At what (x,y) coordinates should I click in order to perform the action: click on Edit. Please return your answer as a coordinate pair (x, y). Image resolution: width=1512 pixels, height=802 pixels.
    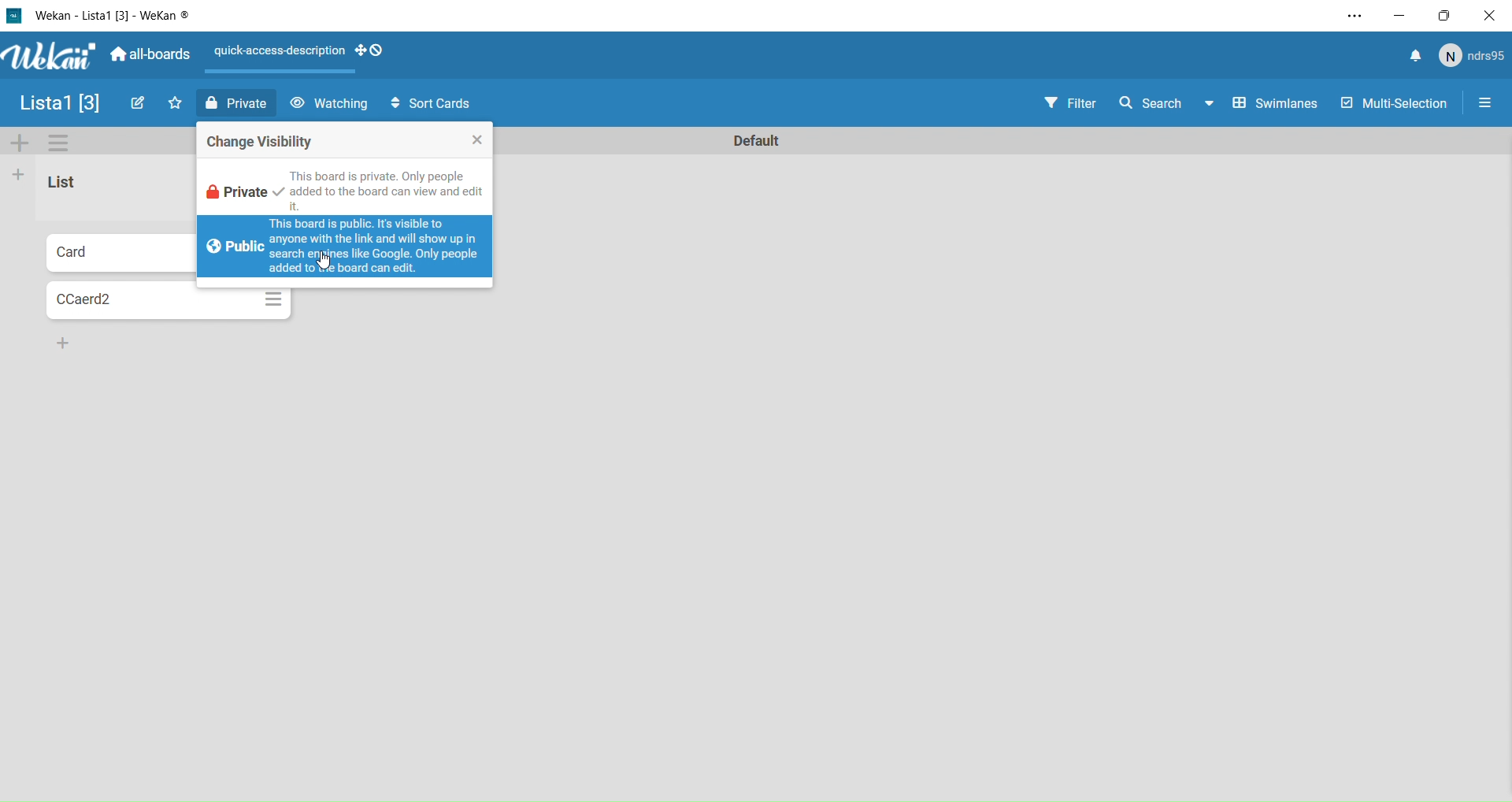
    Looking at the image, I should click on (135, 104).